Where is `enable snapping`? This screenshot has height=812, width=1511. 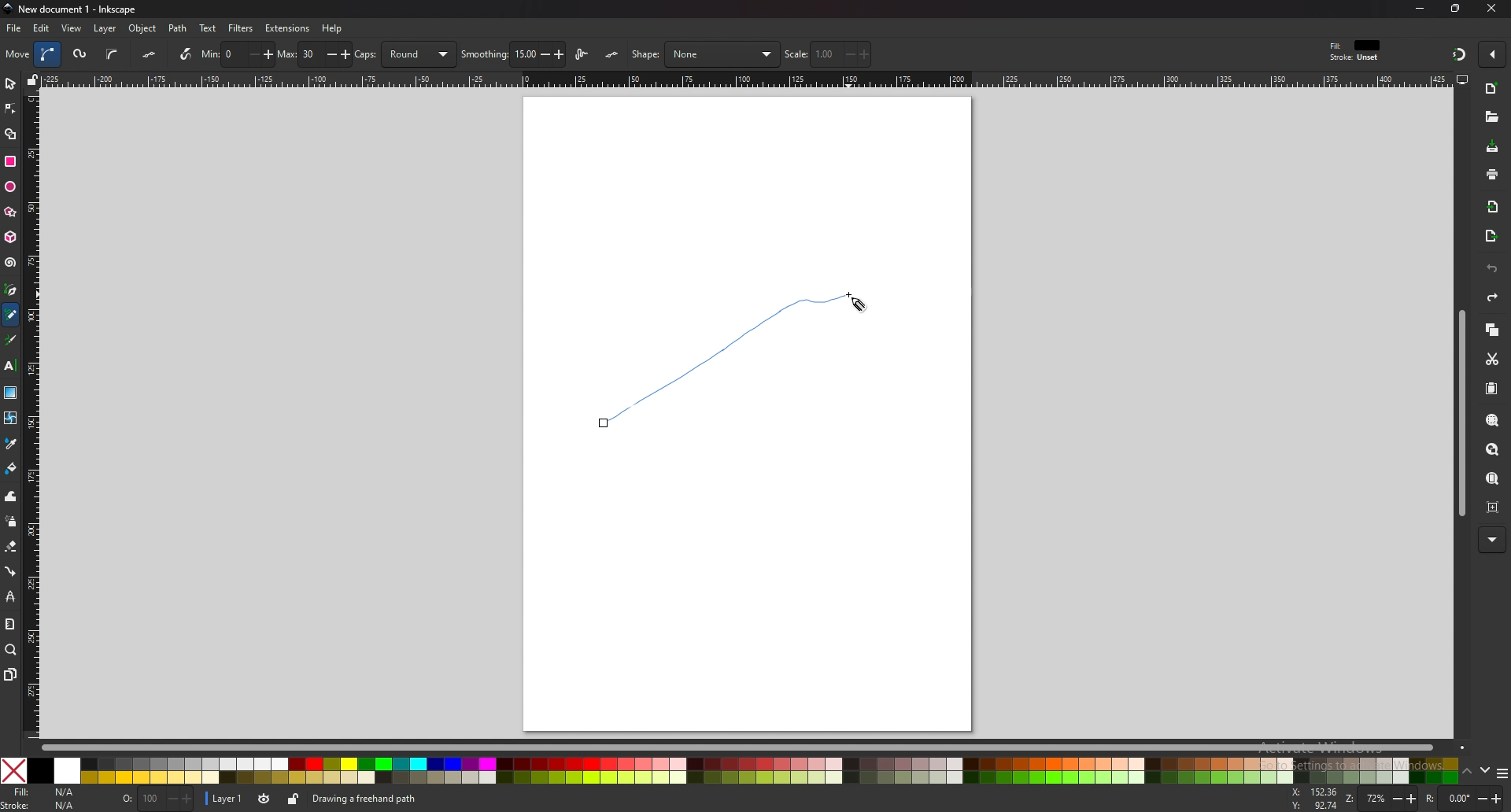 enable snapping is located at coordinates (1491, 54).